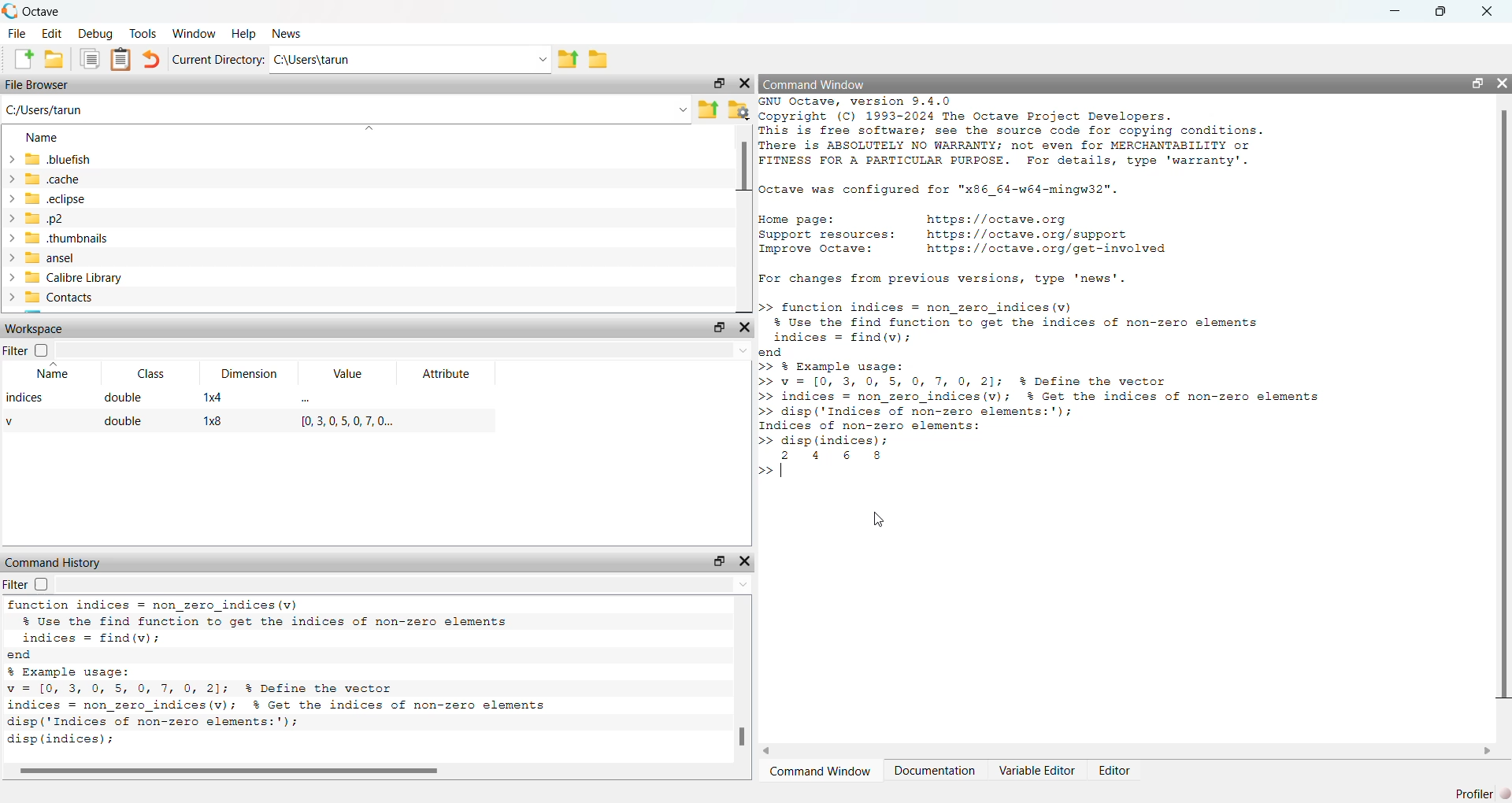  What do you see at coordinates (821, 773) in the screenshot?
I see `Command Window` at bounding box center [821, 773].